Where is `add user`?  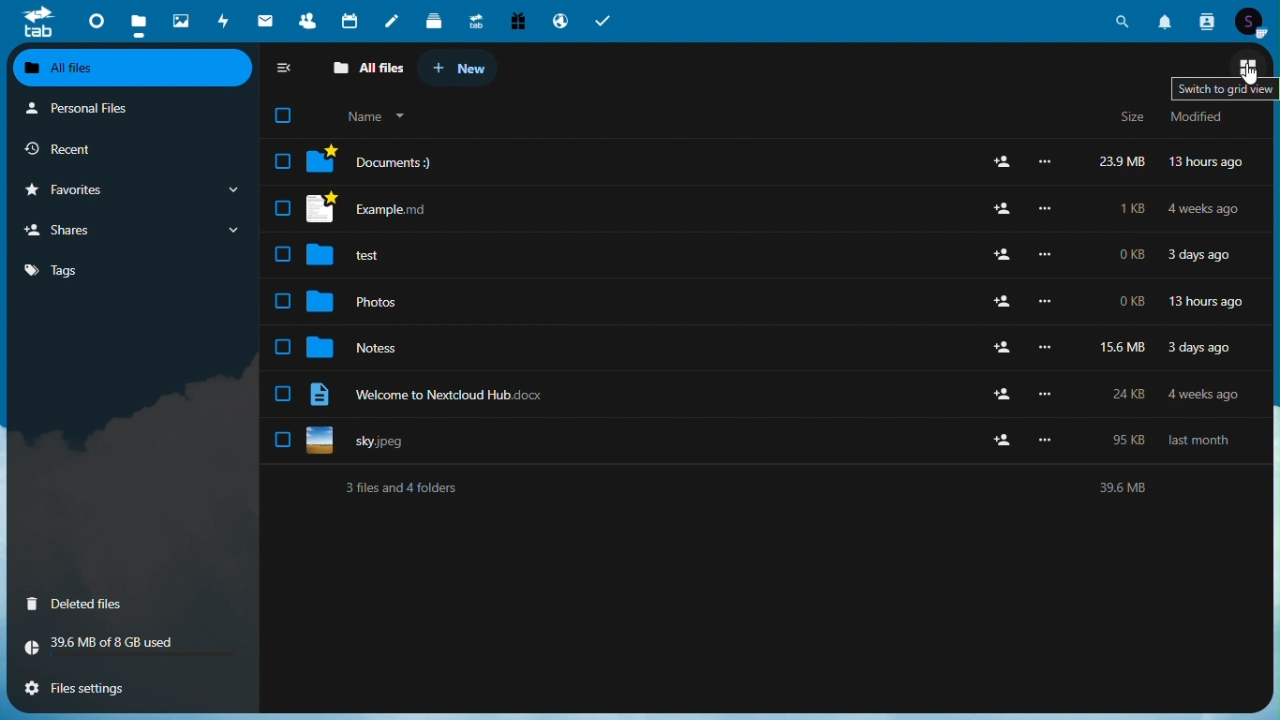 add user is located at coordinates (1000, 441).